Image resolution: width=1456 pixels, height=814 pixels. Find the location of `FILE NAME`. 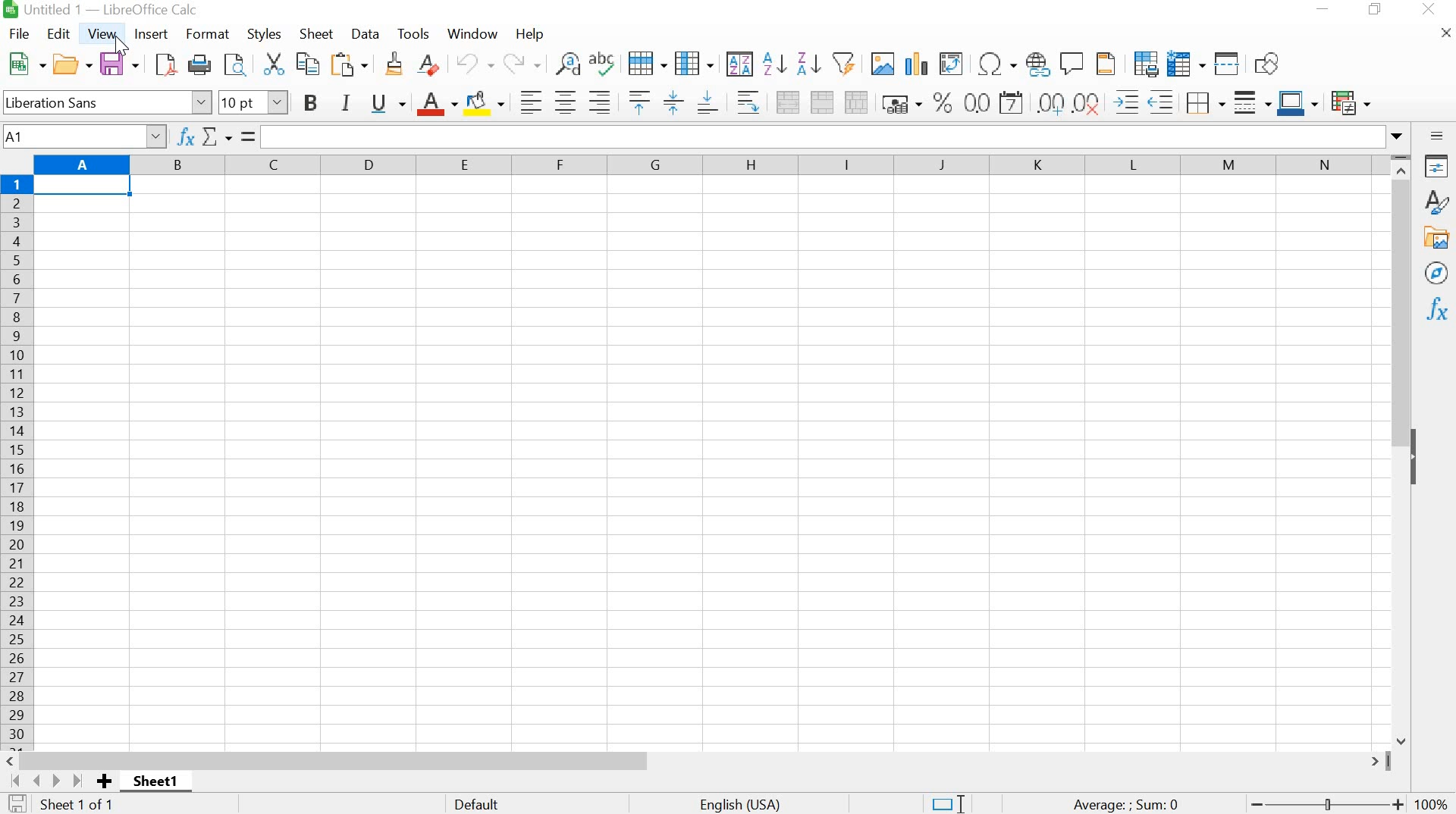

FILE NAME is located at coordinates (103, 11).